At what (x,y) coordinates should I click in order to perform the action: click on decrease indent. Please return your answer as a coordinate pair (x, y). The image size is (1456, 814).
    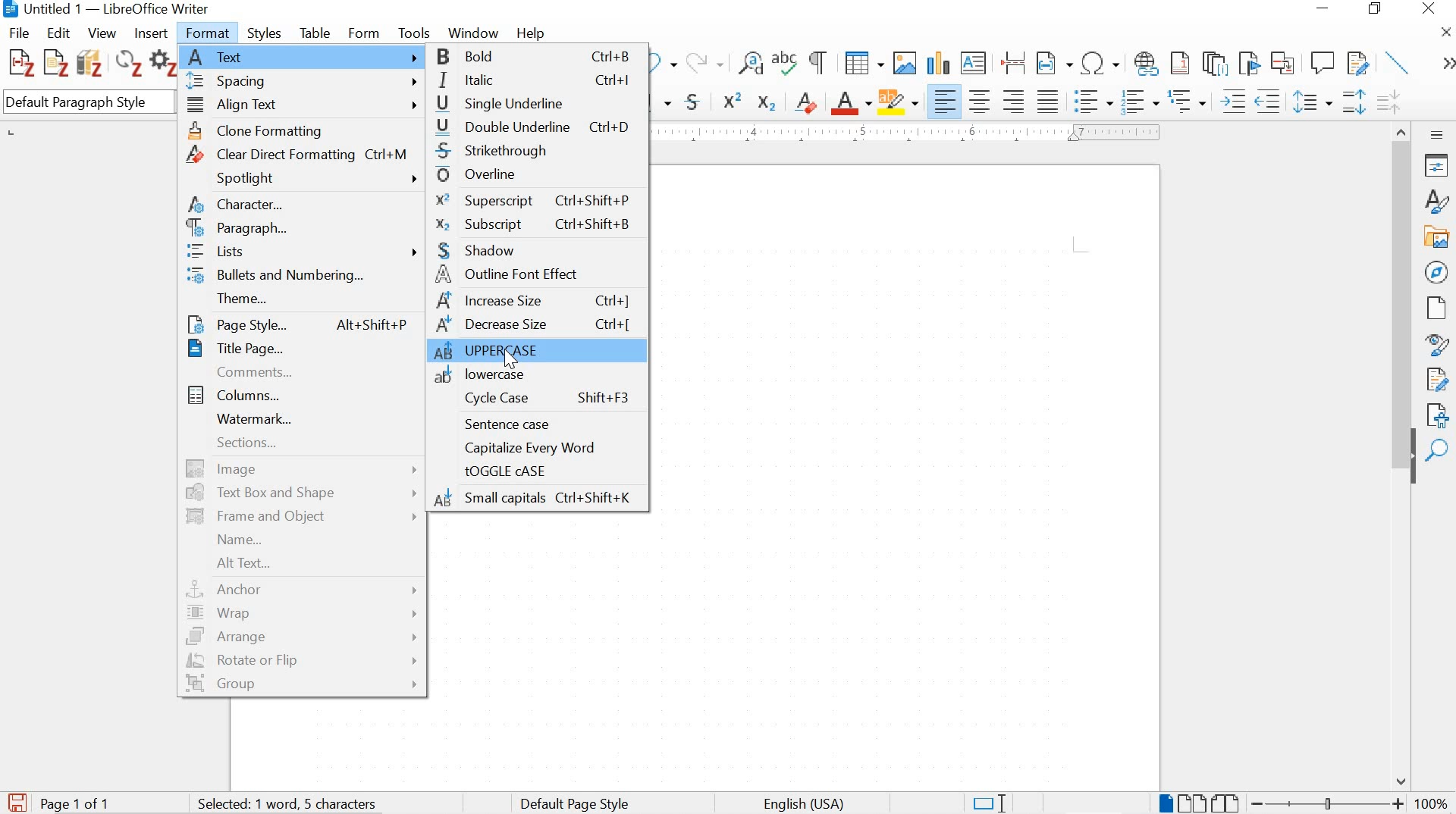
    Looking at the image, I should click on (1270, 101).